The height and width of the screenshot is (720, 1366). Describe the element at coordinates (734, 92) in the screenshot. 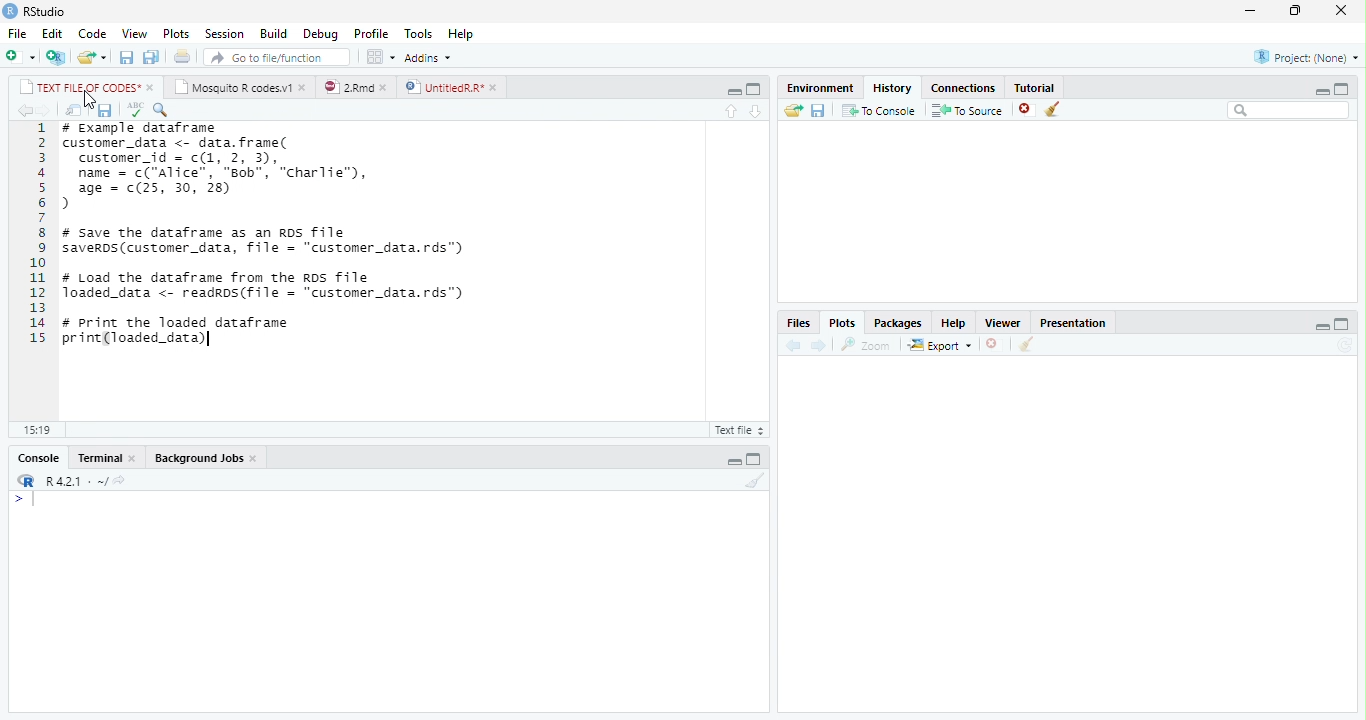

I see `minimize` at that location.